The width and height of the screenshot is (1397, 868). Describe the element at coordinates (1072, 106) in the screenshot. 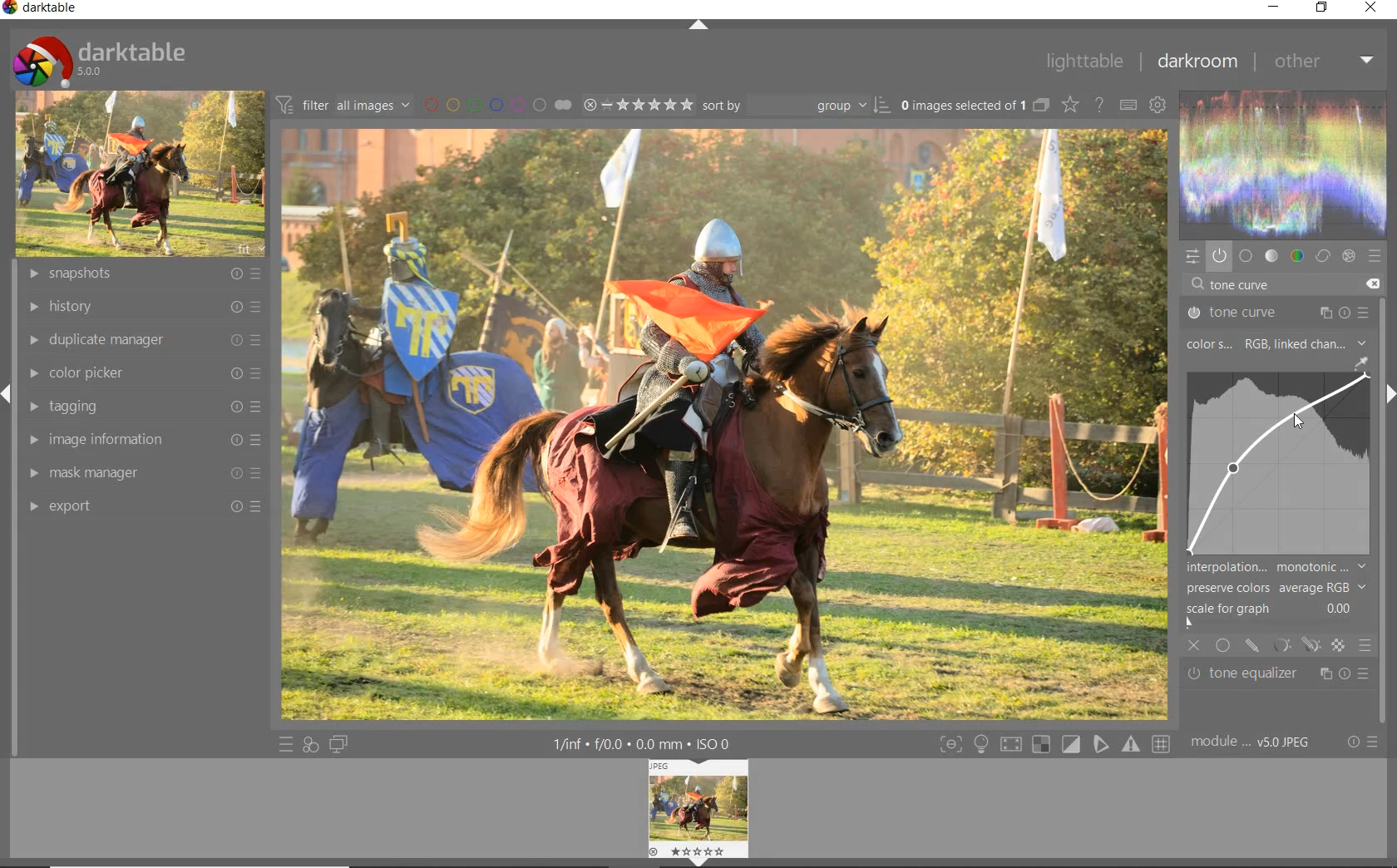

I see `change type of overlays` at that location.